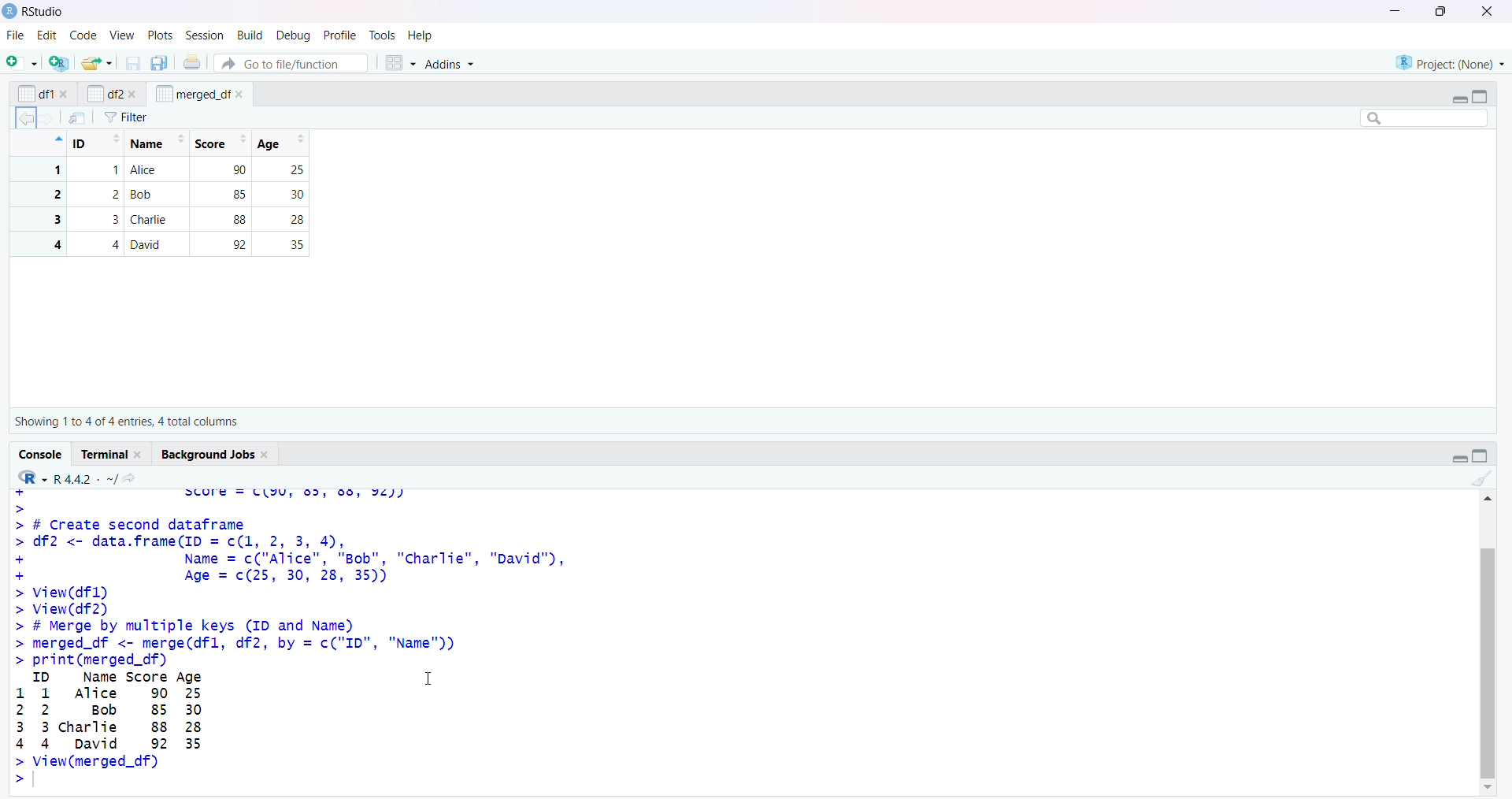 This screenshot has height=799, width=1512. What do you see at coordinates (84, 35) in the screenshot?
I see `code` at bounding box center [84, 35].